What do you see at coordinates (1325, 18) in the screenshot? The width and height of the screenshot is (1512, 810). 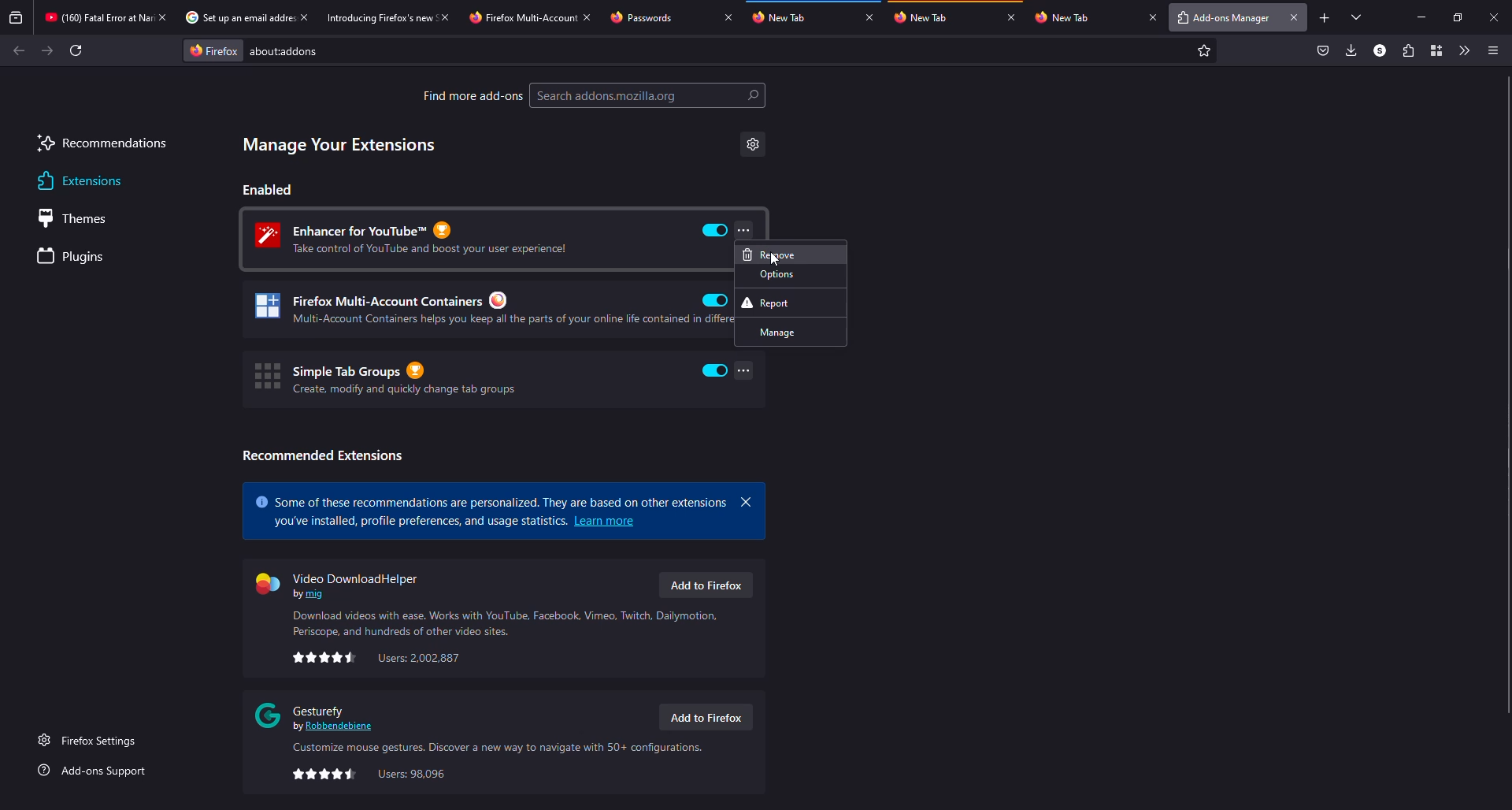 I see `add` at bounding box center [1325, 18].